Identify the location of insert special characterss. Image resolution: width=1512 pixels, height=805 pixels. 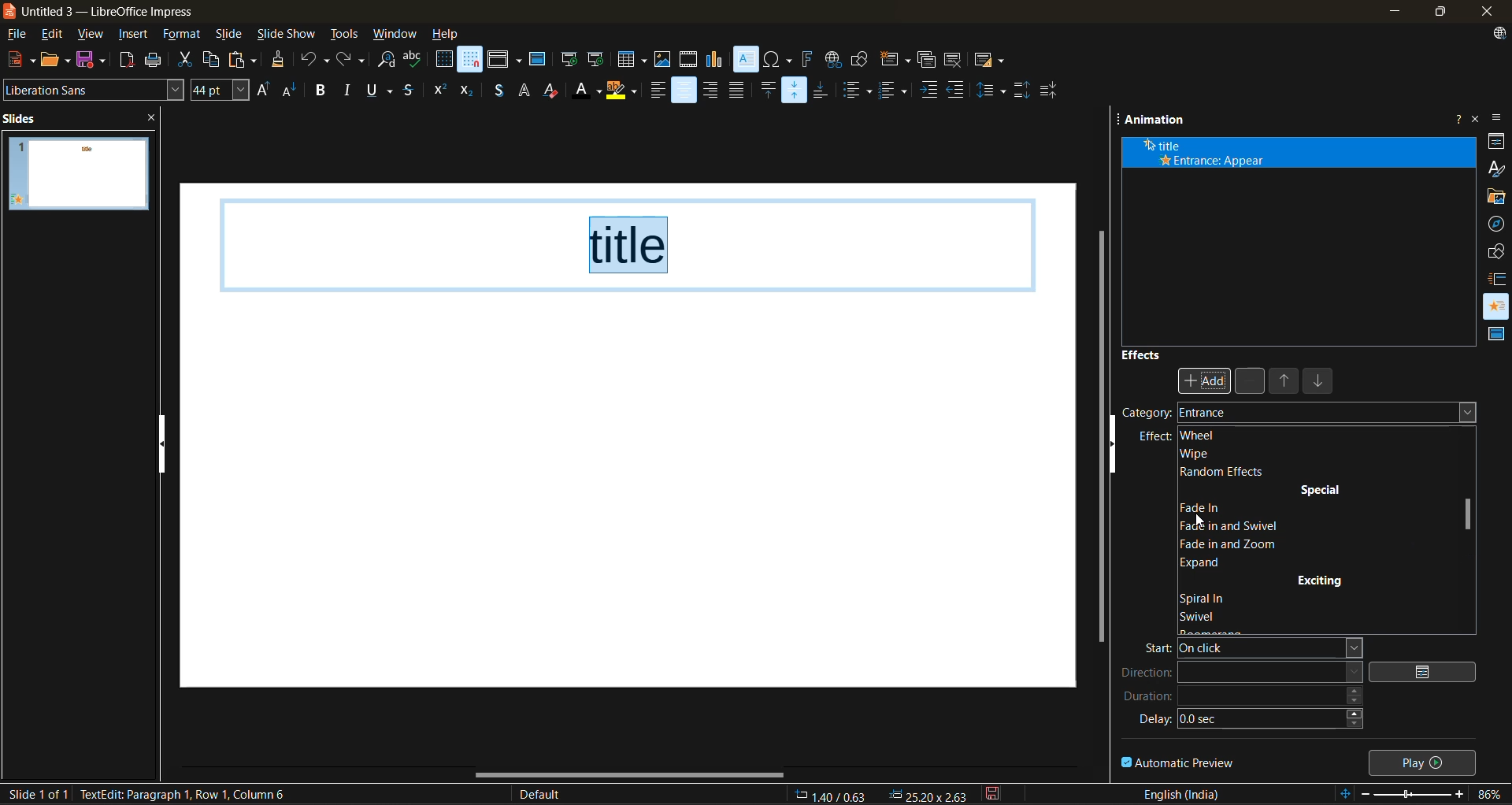
(778, 59).